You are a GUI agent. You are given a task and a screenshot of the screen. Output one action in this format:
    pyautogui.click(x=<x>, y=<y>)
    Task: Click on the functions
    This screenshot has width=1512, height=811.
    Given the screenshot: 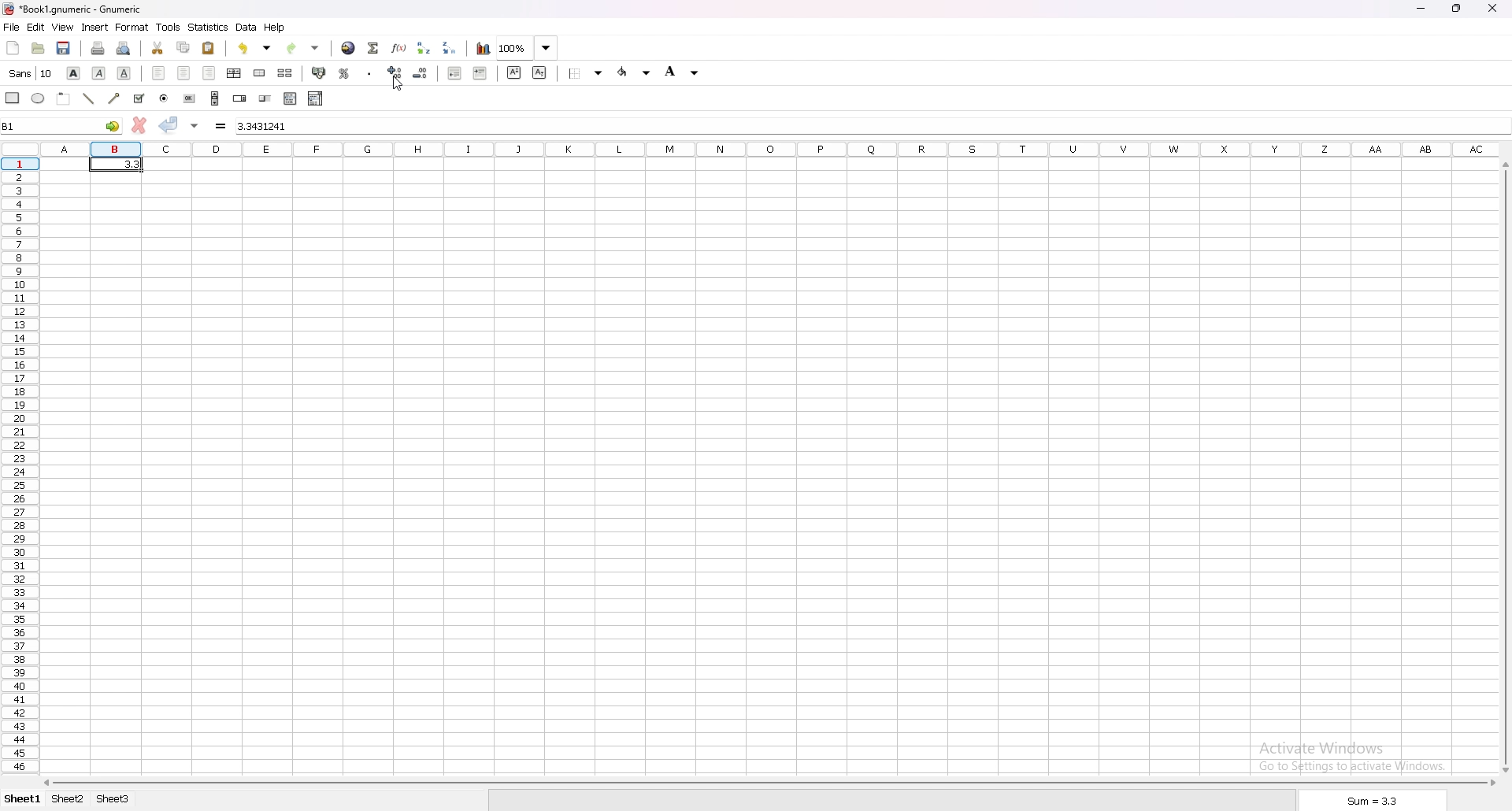 What is the action you would take?
    pyautogui.click(x=399, y=48)
    